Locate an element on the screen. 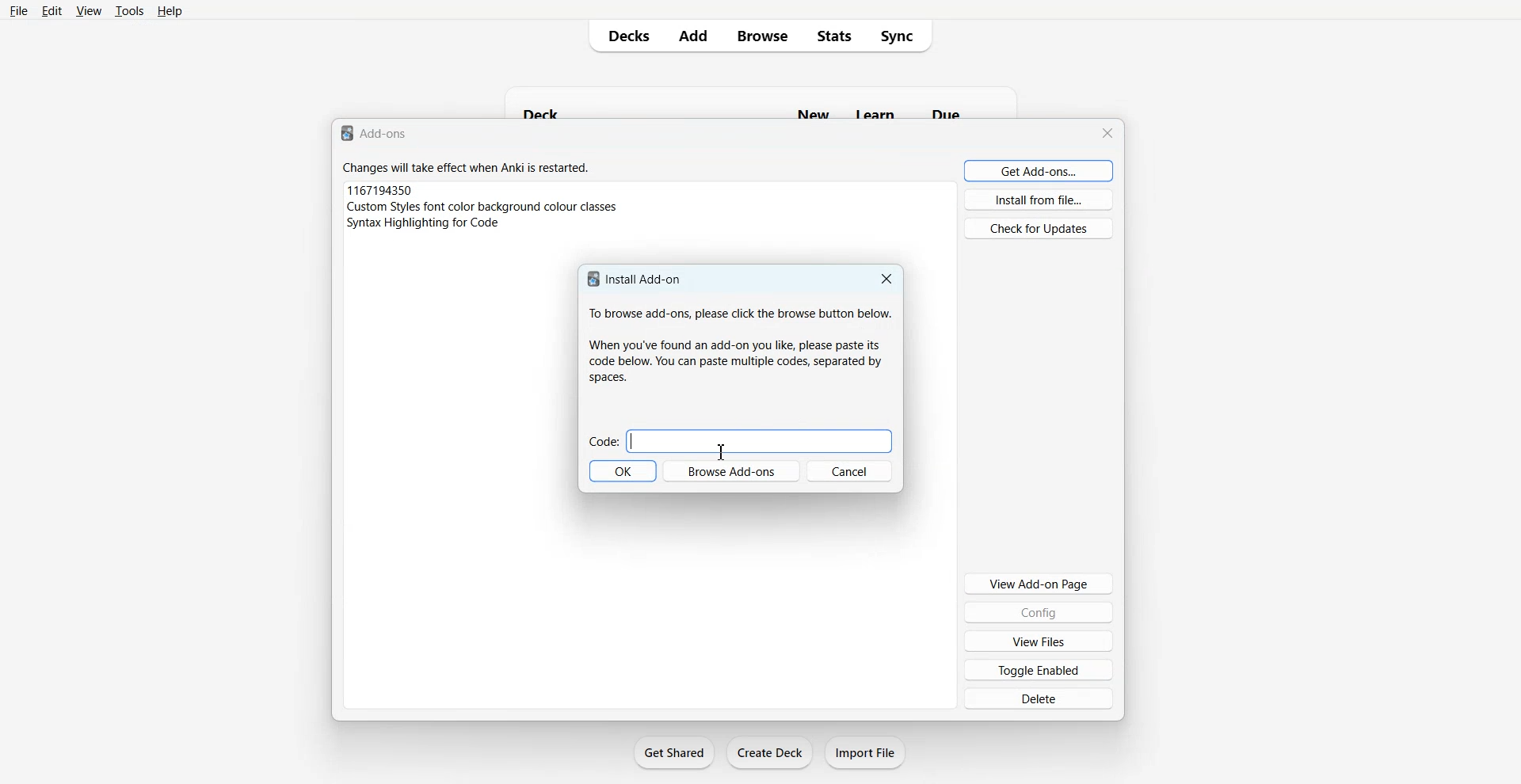 Image resolution: width=1521 pixels, height=784 pixels. Get Add ons is located at coordinates (1039, 170).